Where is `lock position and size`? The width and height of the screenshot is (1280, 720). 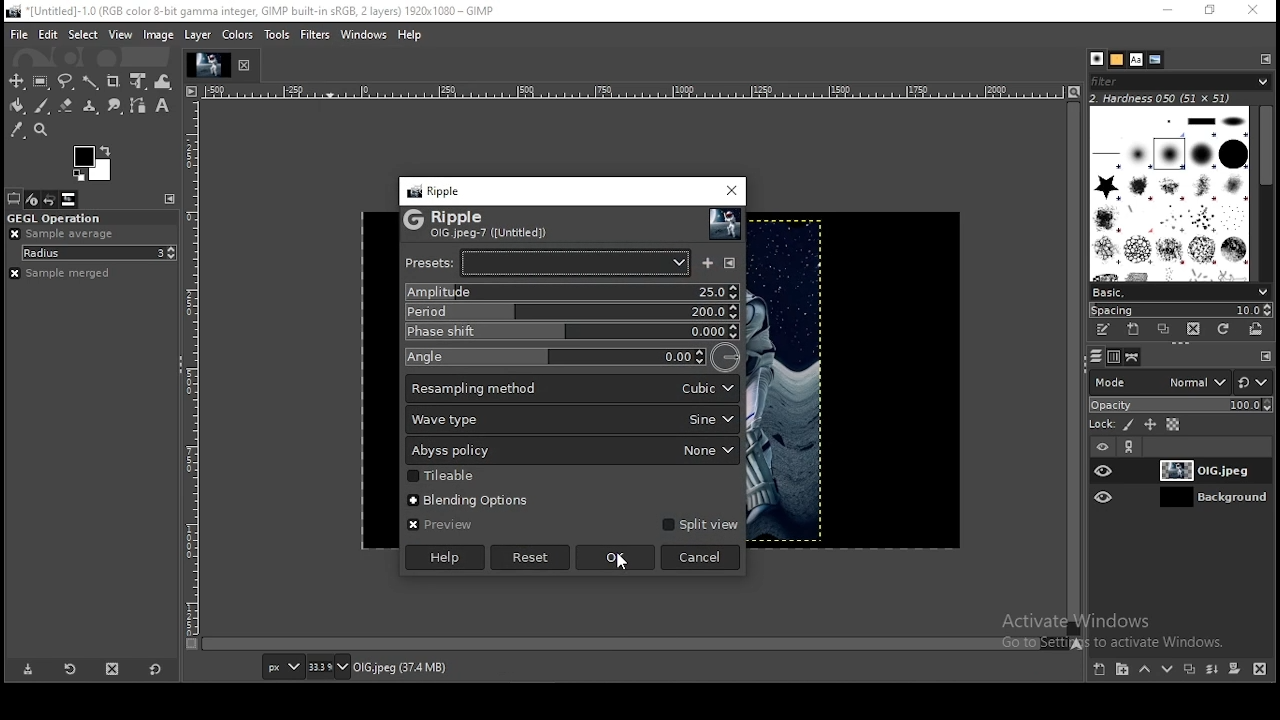 lock position and size is located at coordinates (1150, 425).